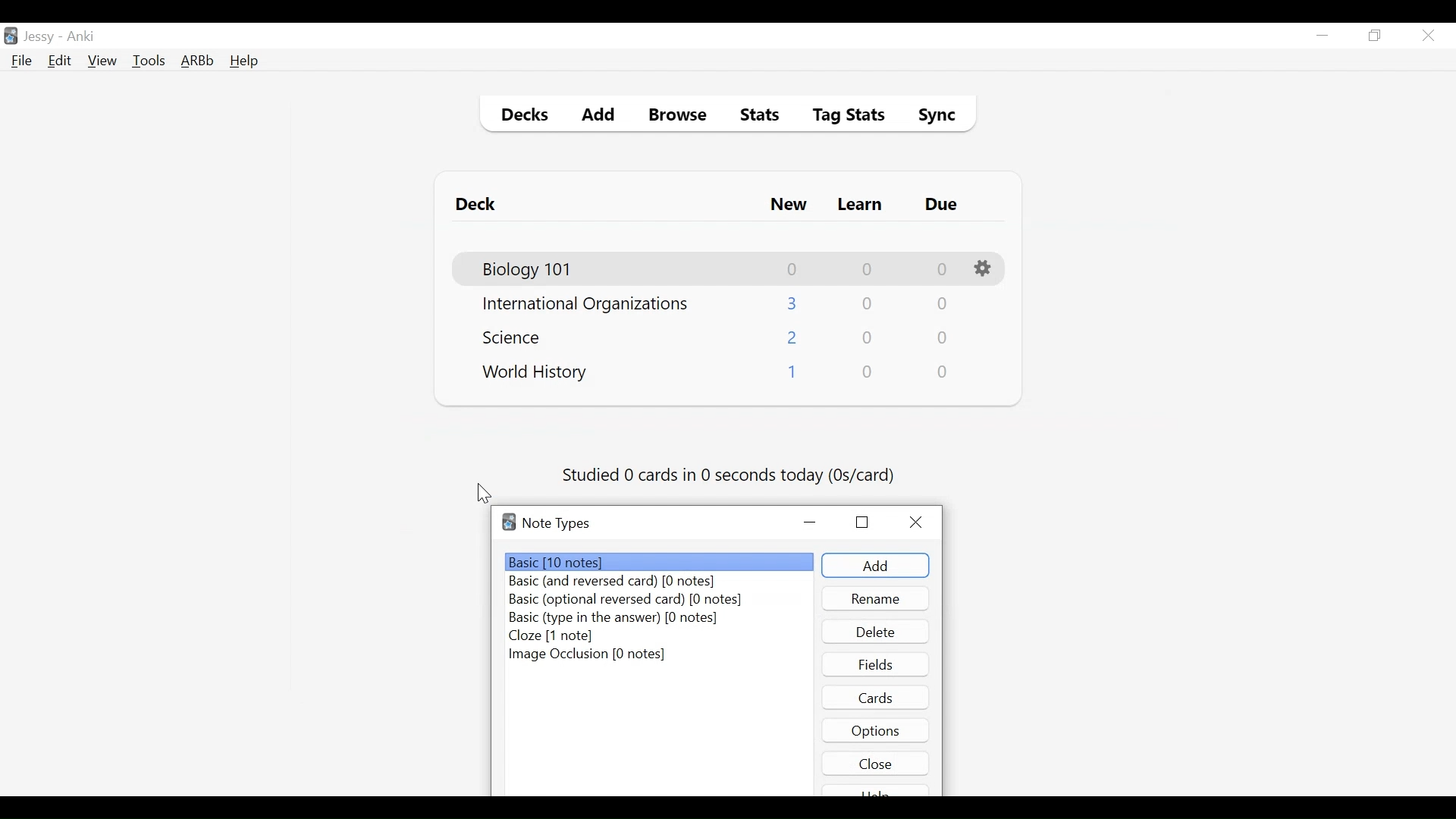 This screenshot has width=1456, height=819. I want to click on Tools, so click(149, 60).